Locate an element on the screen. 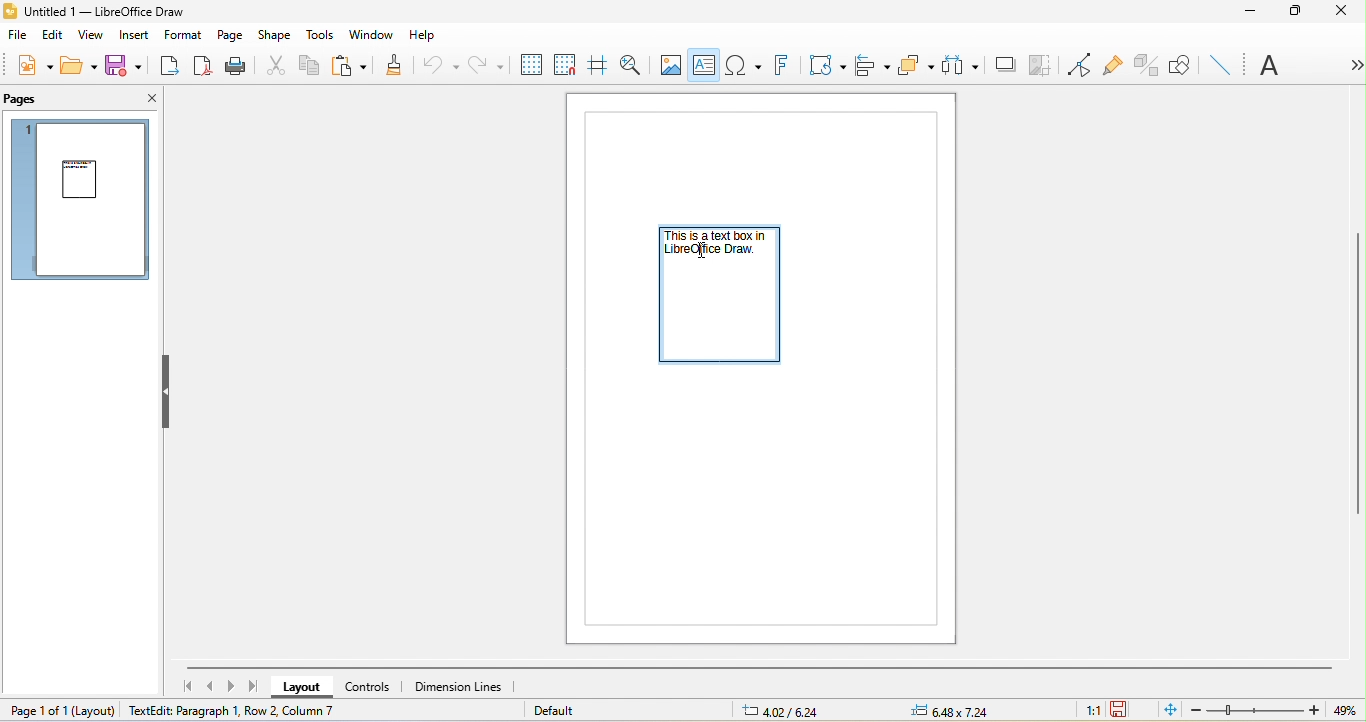 This screenshot has width=1366, height=722. more option is located at coordinates (1347, 65).